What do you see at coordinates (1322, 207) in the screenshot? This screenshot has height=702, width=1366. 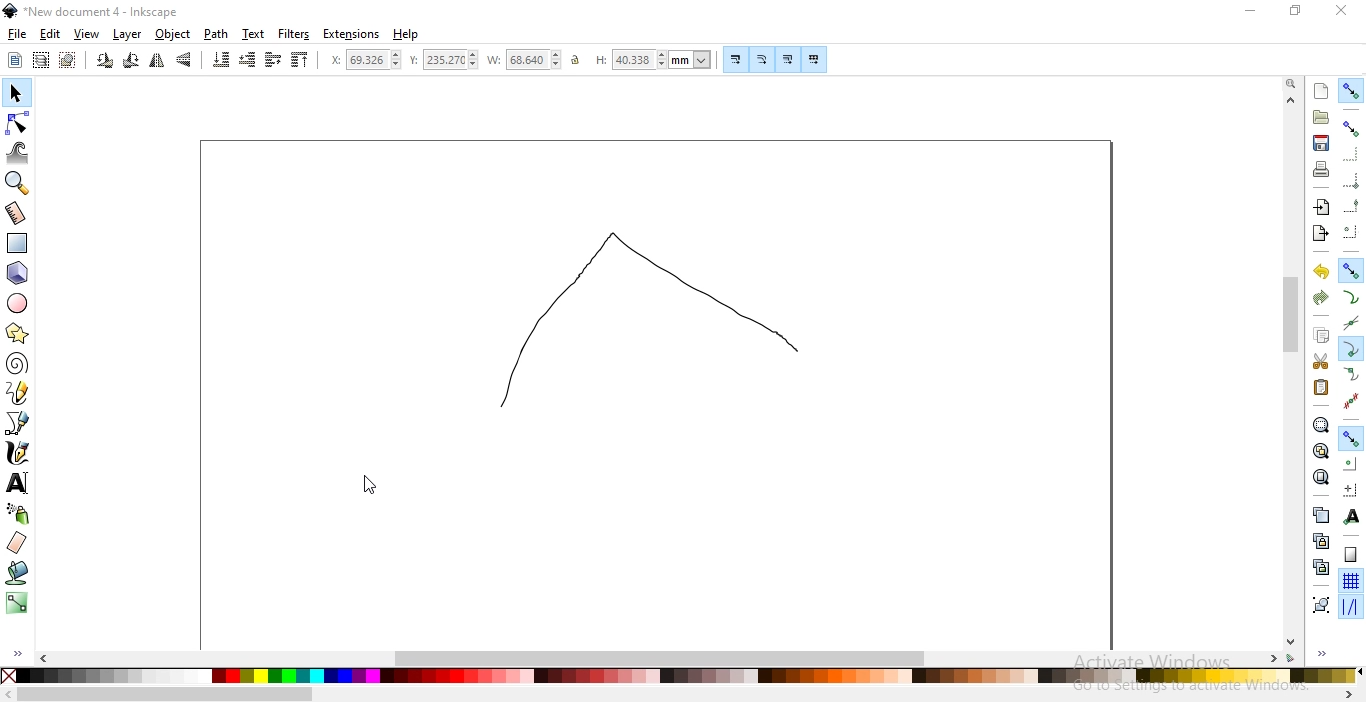 I see `import a bitmap` at bounding box center [1322, 207].